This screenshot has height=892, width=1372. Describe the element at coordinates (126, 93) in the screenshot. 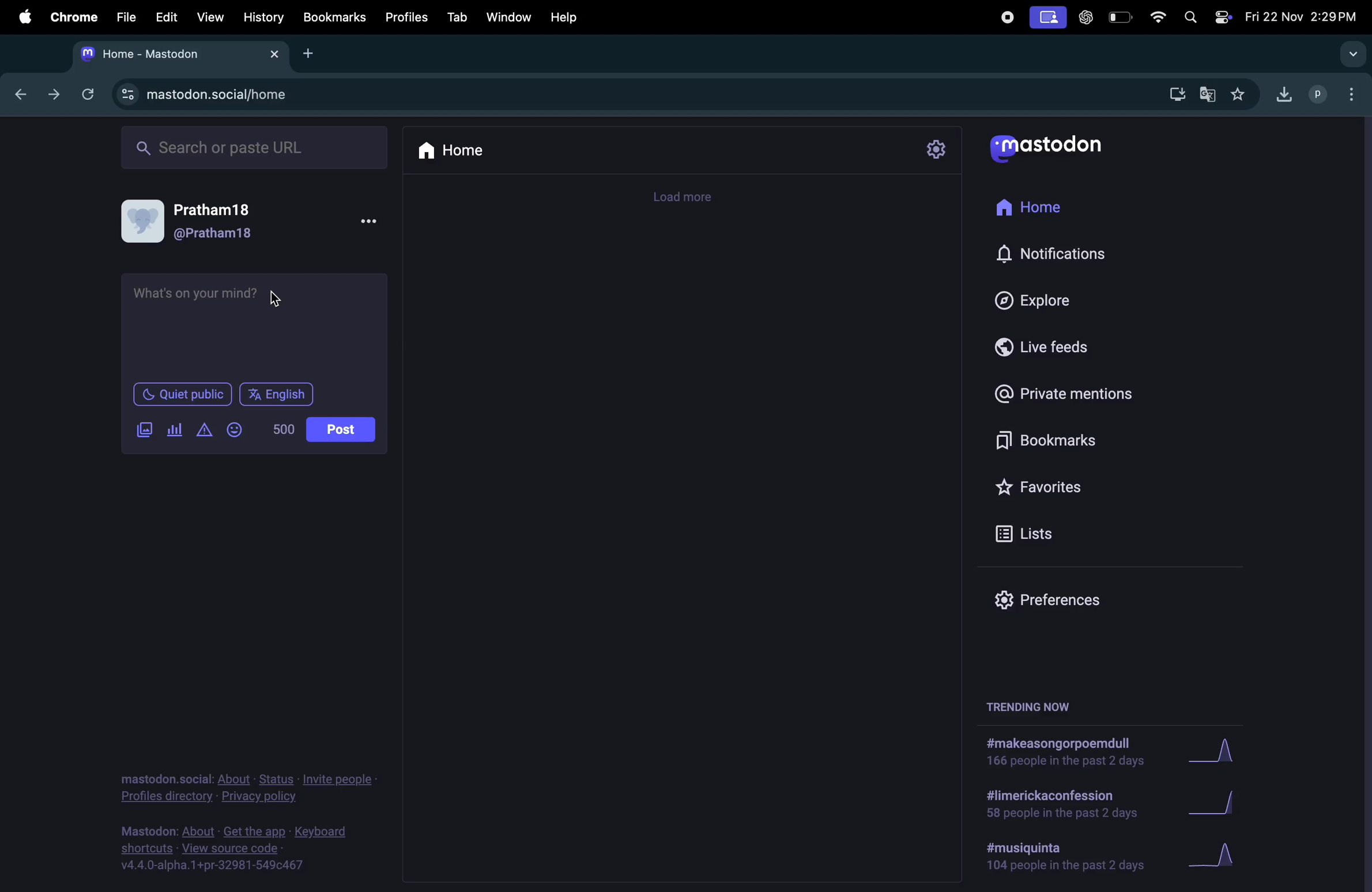

I see `` at that location.